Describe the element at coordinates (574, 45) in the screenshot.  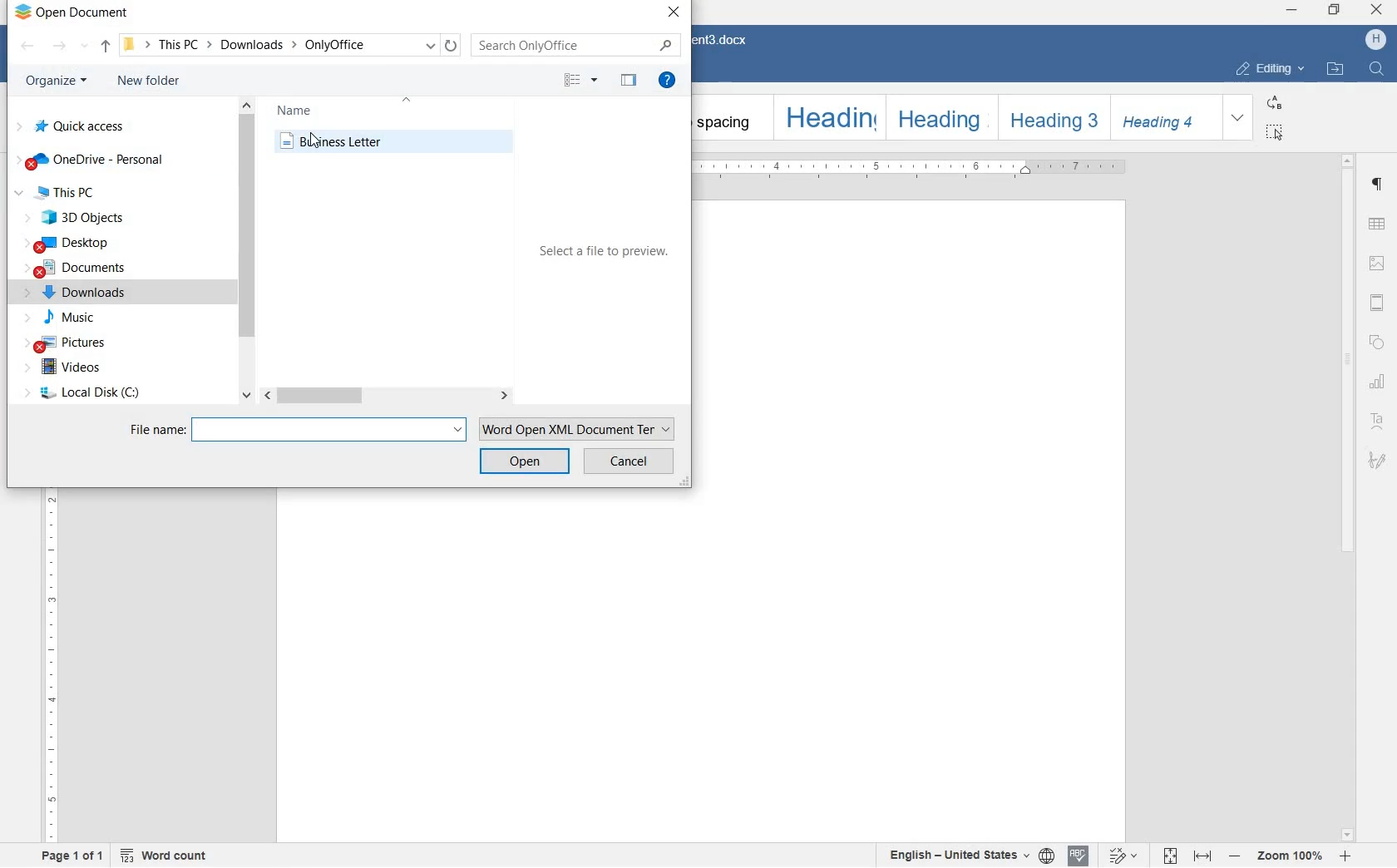
I see `search OnlyOffice` at that location.